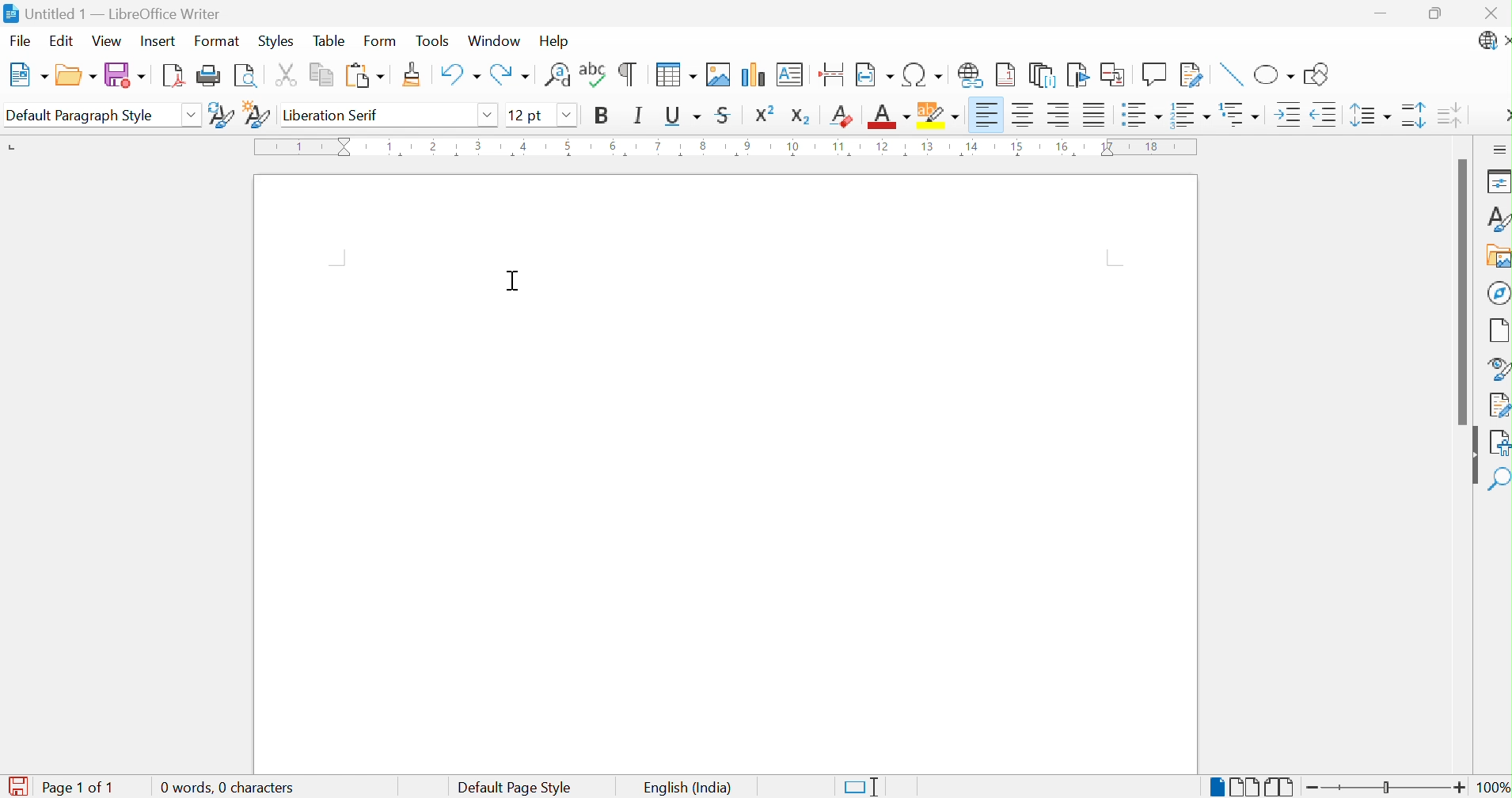 The image size is (1512, 798). I want to click on Close, so click(1488, 12).